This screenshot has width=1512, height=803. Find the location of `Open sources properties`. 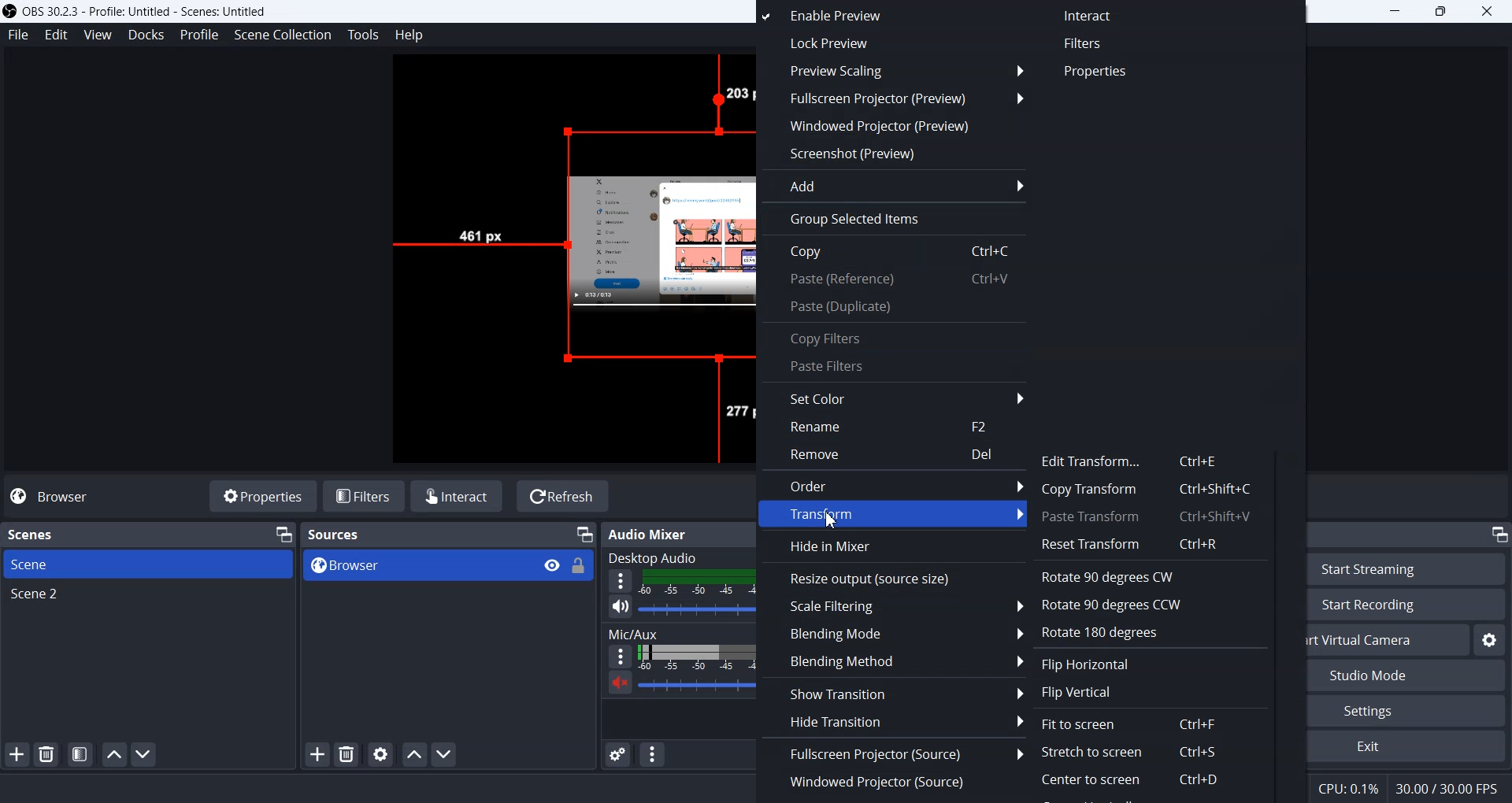

Open sources properties is located at coordinates (380, 755).